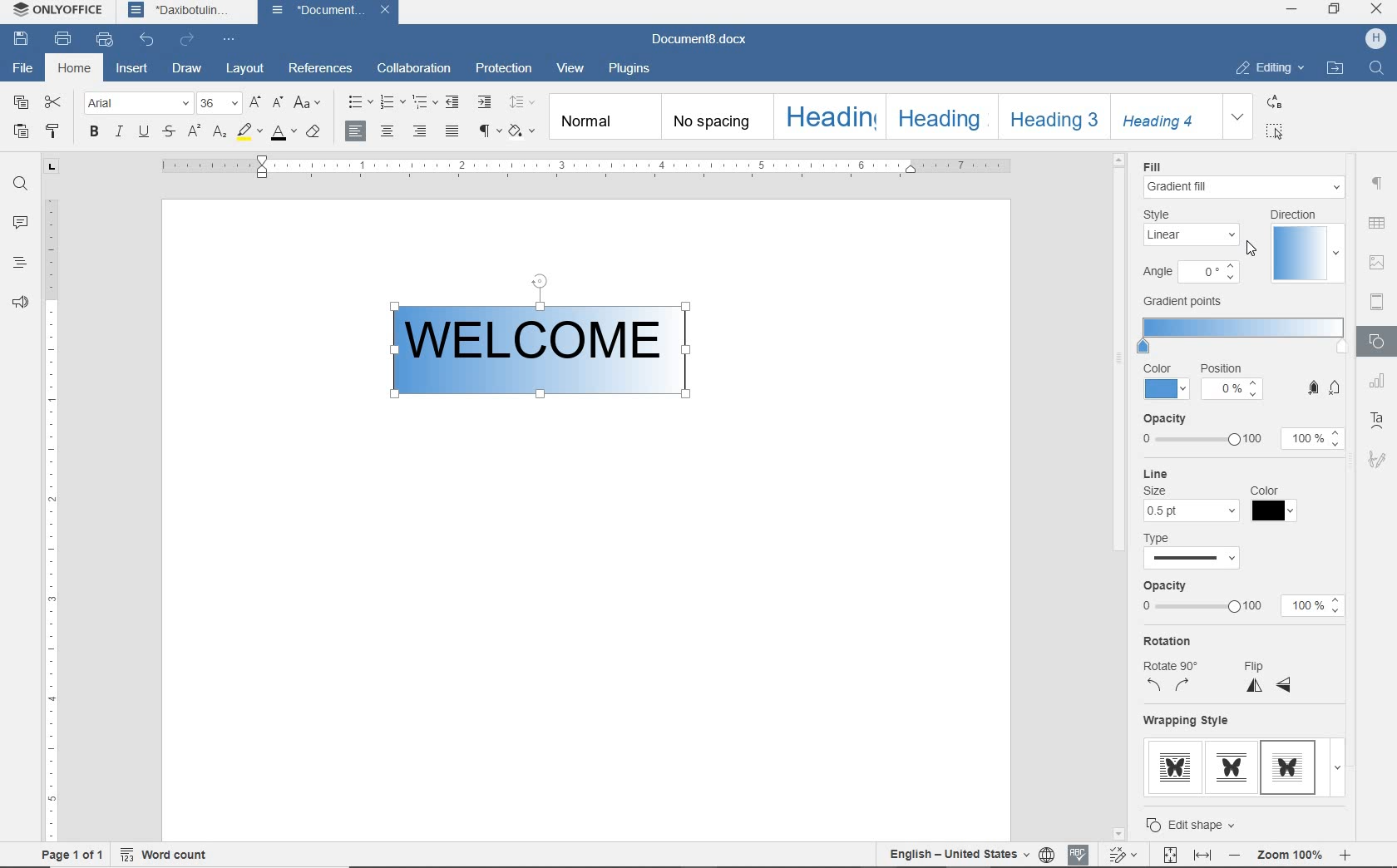 This screenshot has width=1397, height=868. Describe the element at coordinates (1254, 249) in the screenshot. I see `Cursor` at that location.